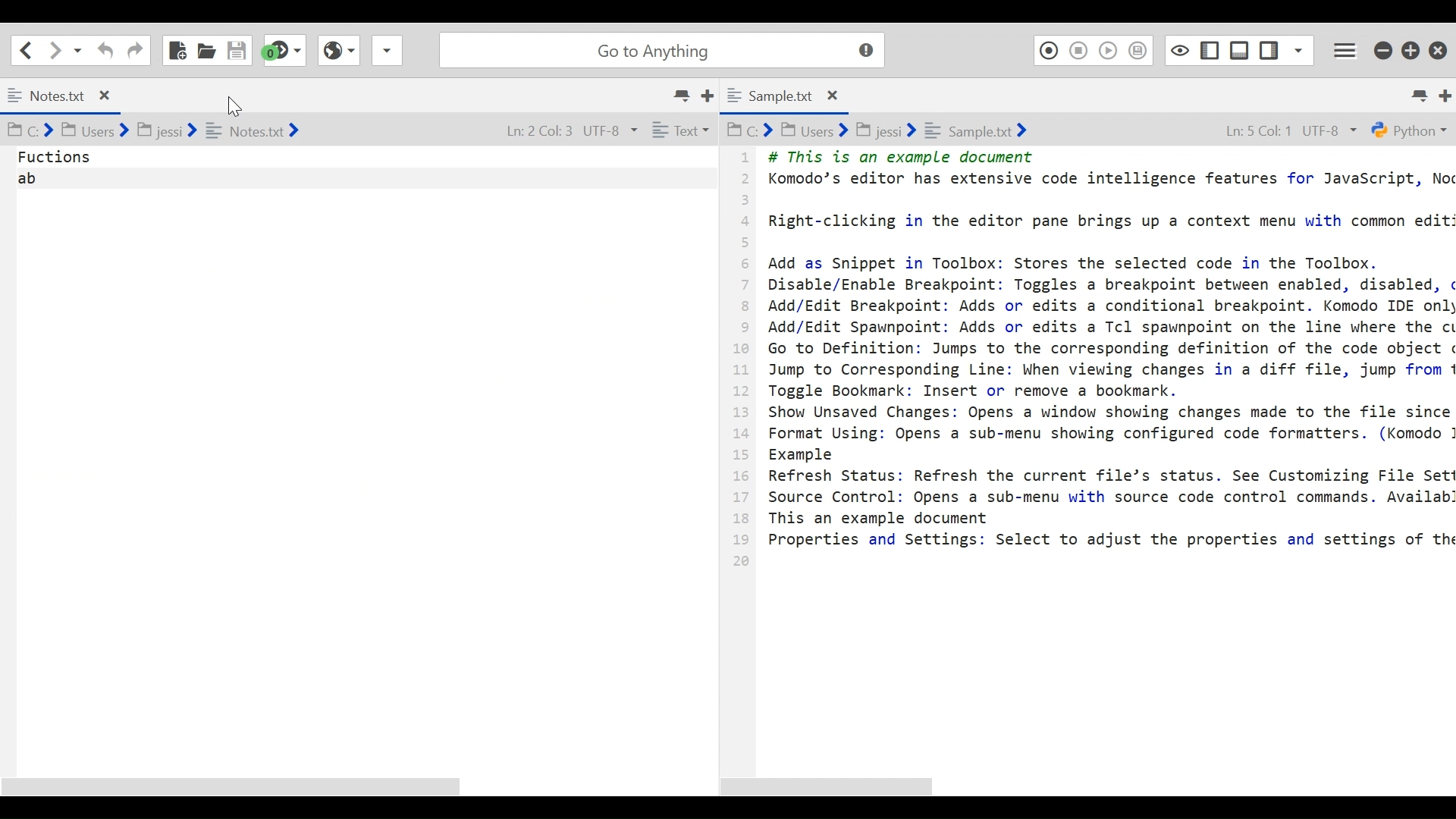 Image resolution: width=1456 pixels, height=819 pixels. I want to click on Show Specific Sidebar, so click(1299, 49).